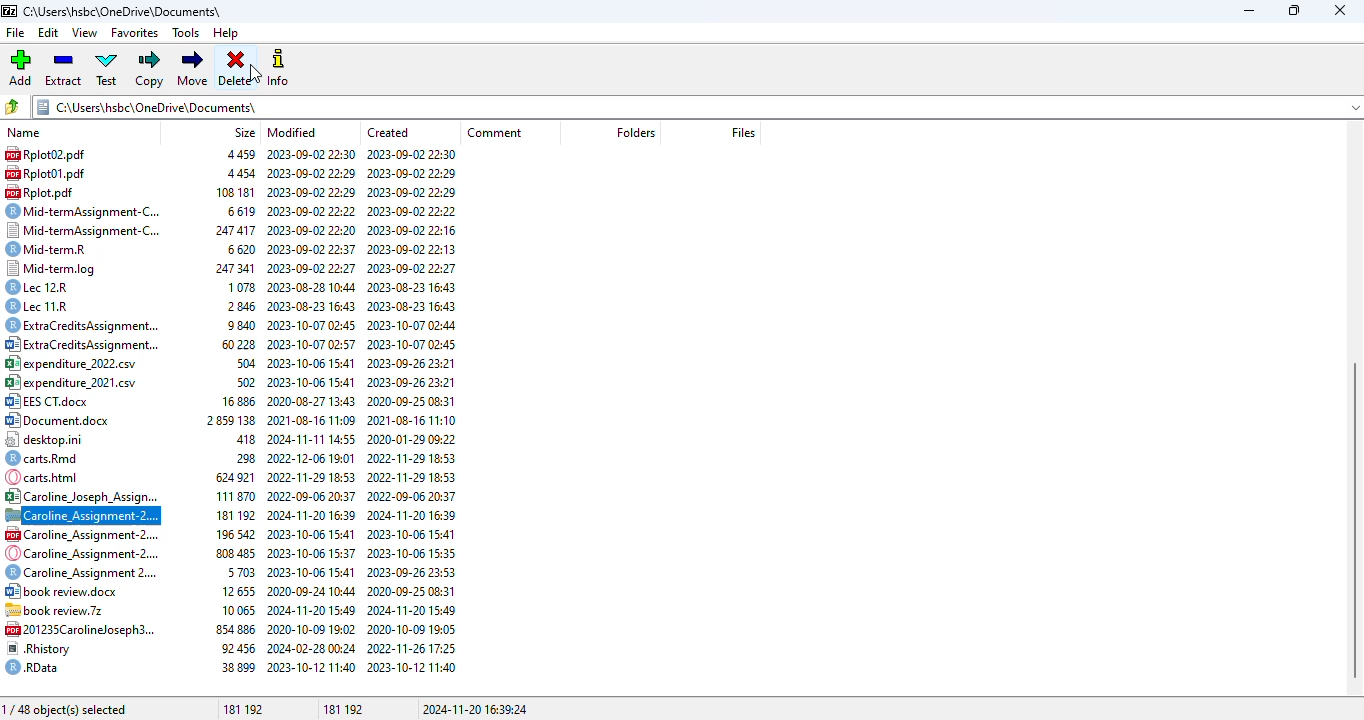 This screenshot has width=1364, height=720. I want to click on 2023-09-02 22:29, so click(416, 171).